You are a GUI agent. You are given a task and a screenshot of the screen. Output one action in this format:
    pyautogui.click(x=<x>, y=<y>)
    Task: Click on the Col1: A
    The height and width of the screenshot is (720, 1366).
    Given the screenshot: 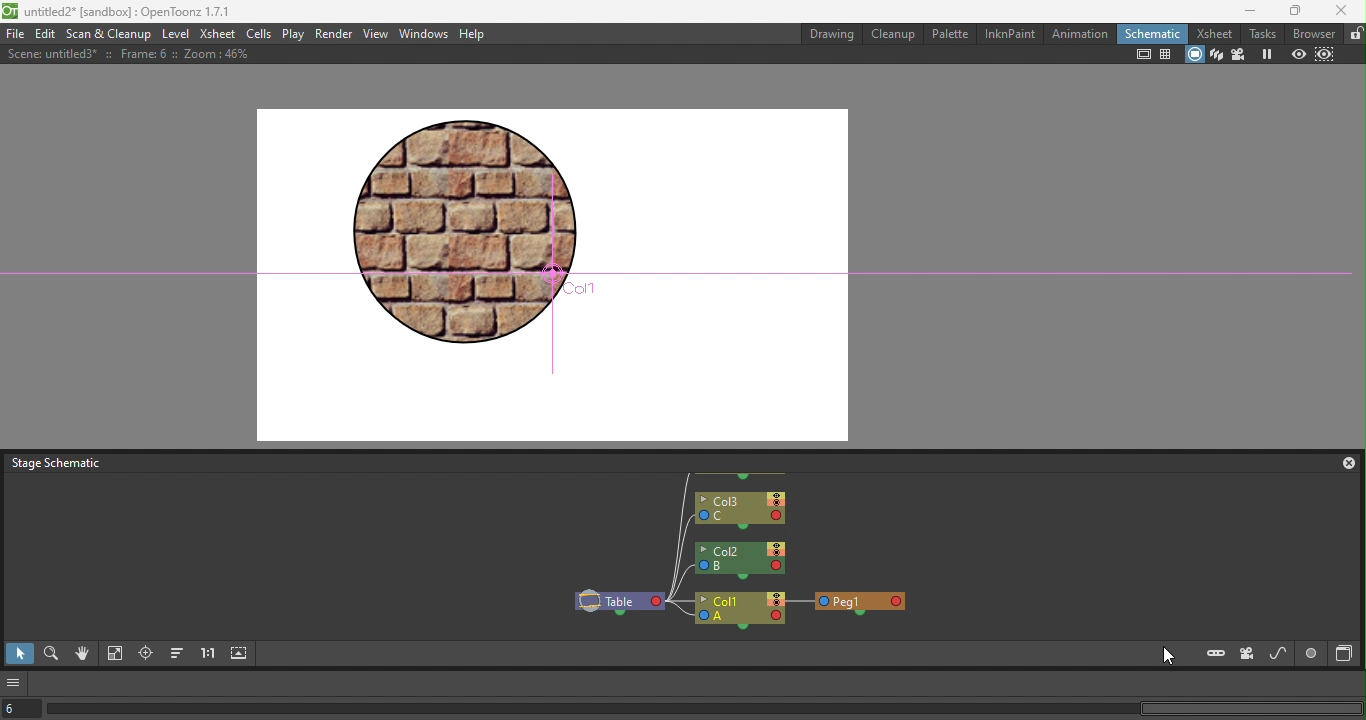 What is the action you would take?
    pyautogui.click(x=741, y=611)
    